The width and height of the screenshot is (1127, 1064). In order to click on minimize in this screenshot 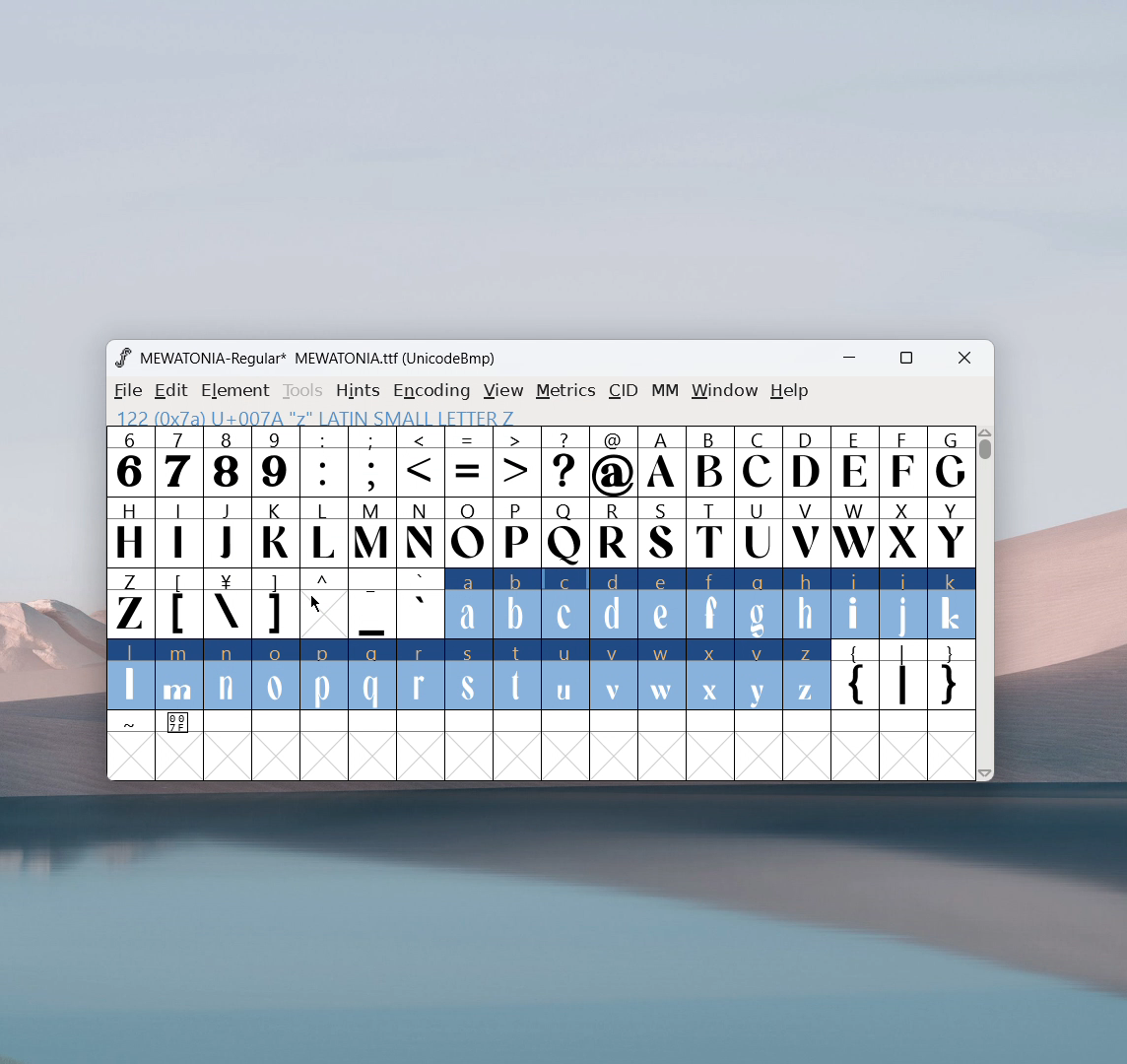, I will do `click(856, 361)`.